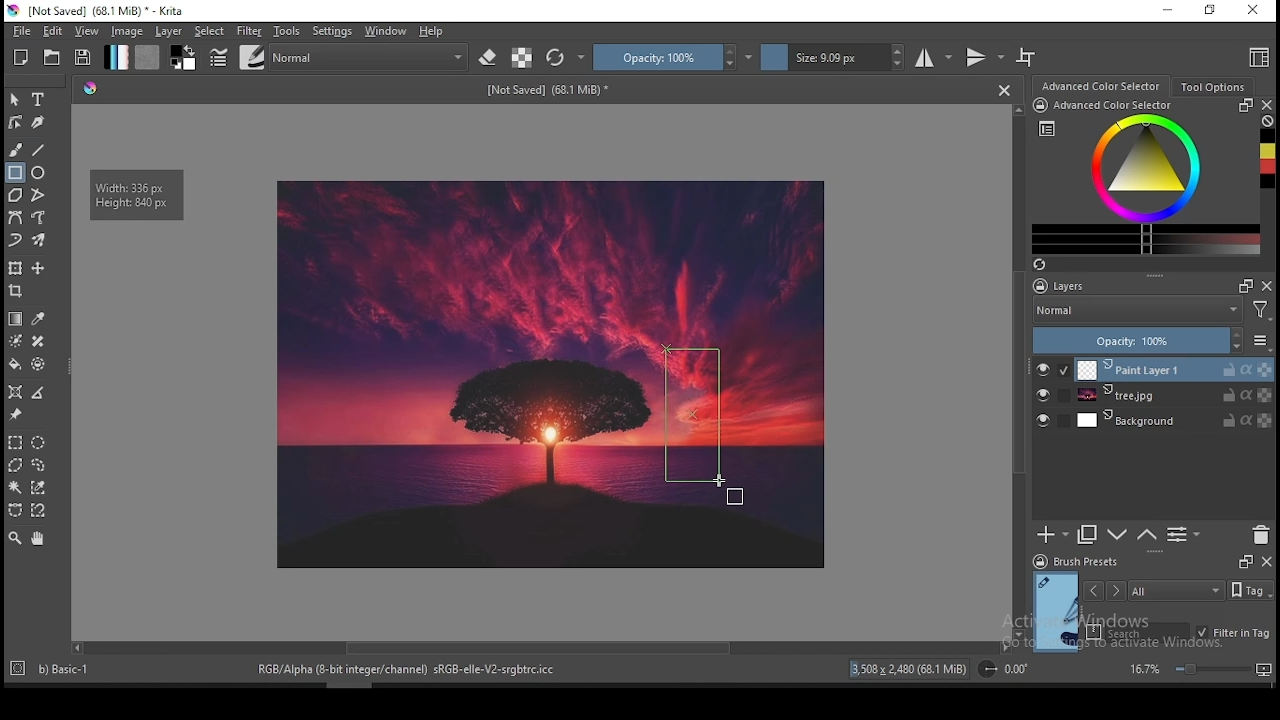 This screenshot has width=1280, height=720. I want to click on reference images tool, so click(16, 415).